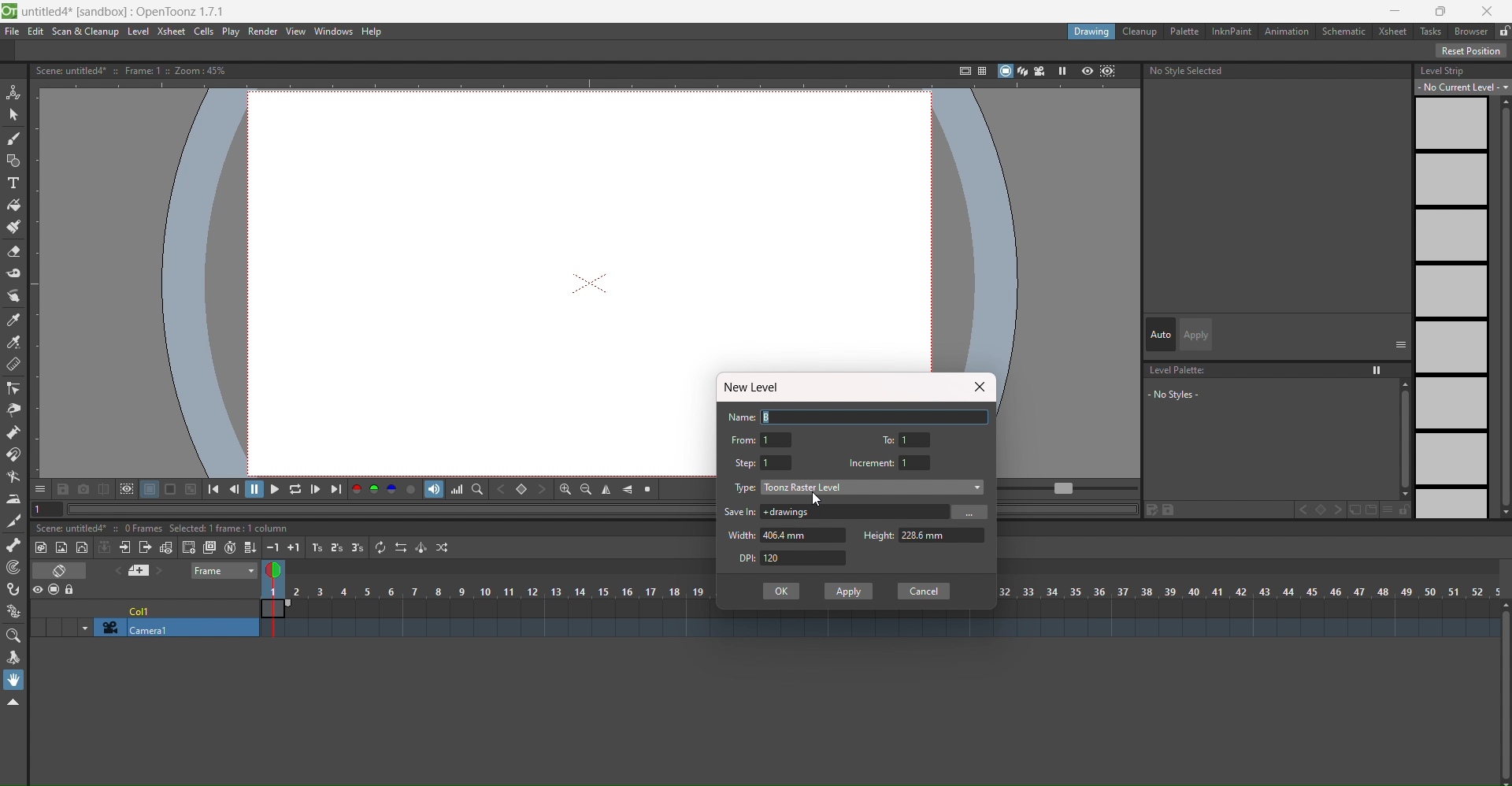 Image resolution: width=1512 pixels, height=786 pixels. Describe the element at coordinates (315, 547) in the screenshot. I see `increase step` at that location.